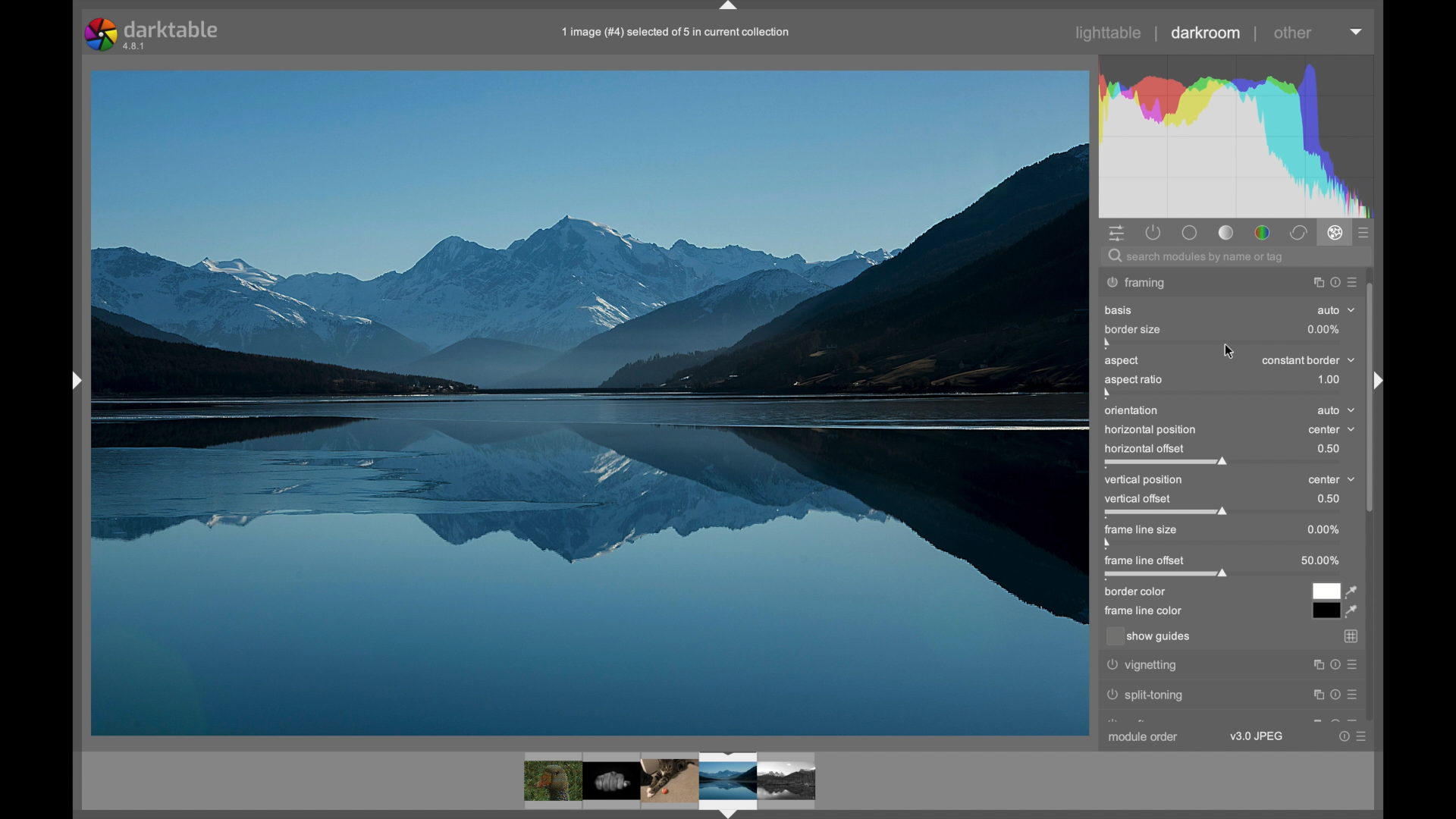  What do you see at coordinates (1260, 736) in the screenshot?
I see `v3.0 JPEG` at bounding box center [1260, 736].